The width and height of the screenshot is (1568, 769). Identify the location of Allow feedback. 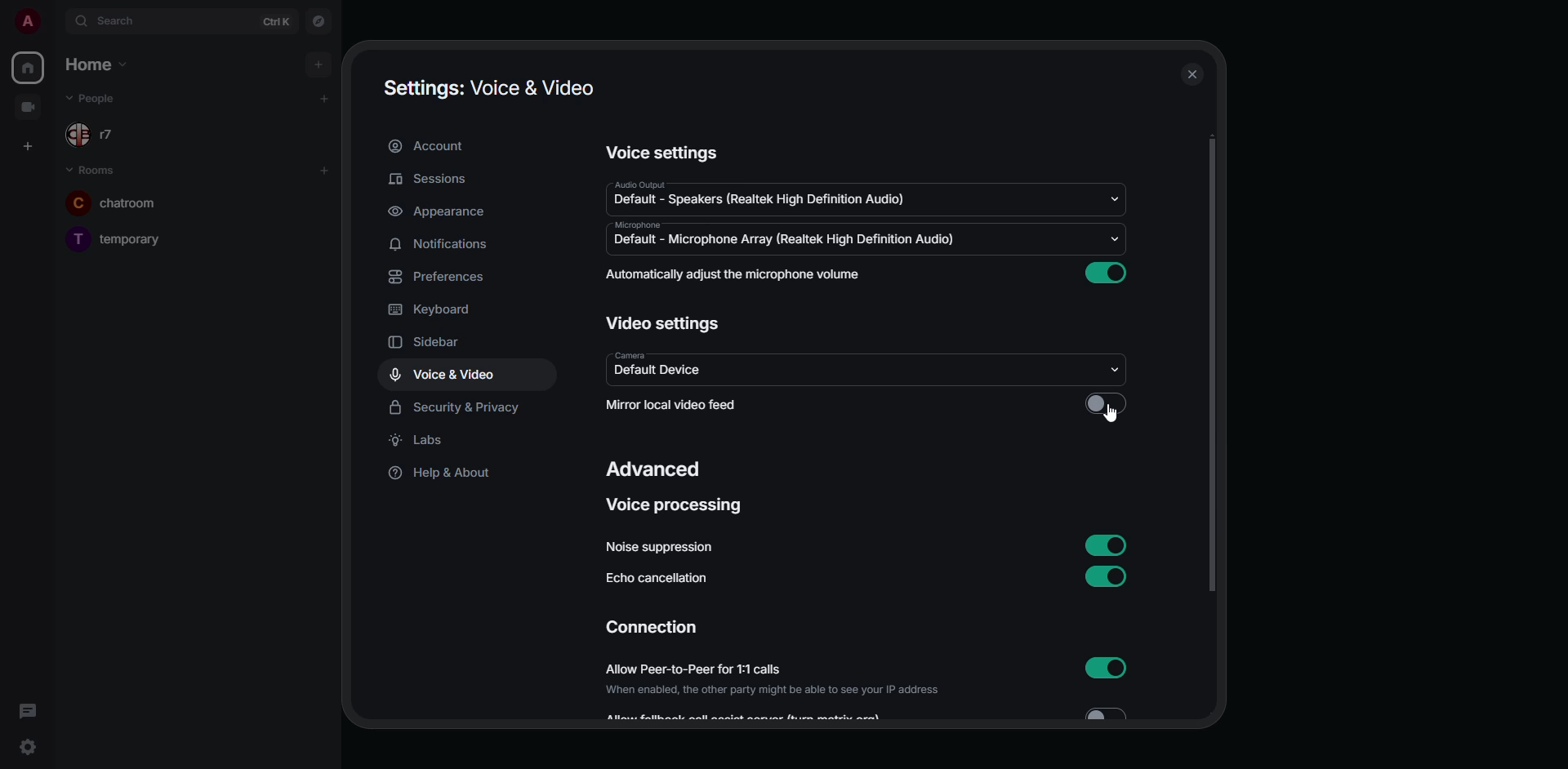
(750, 714).